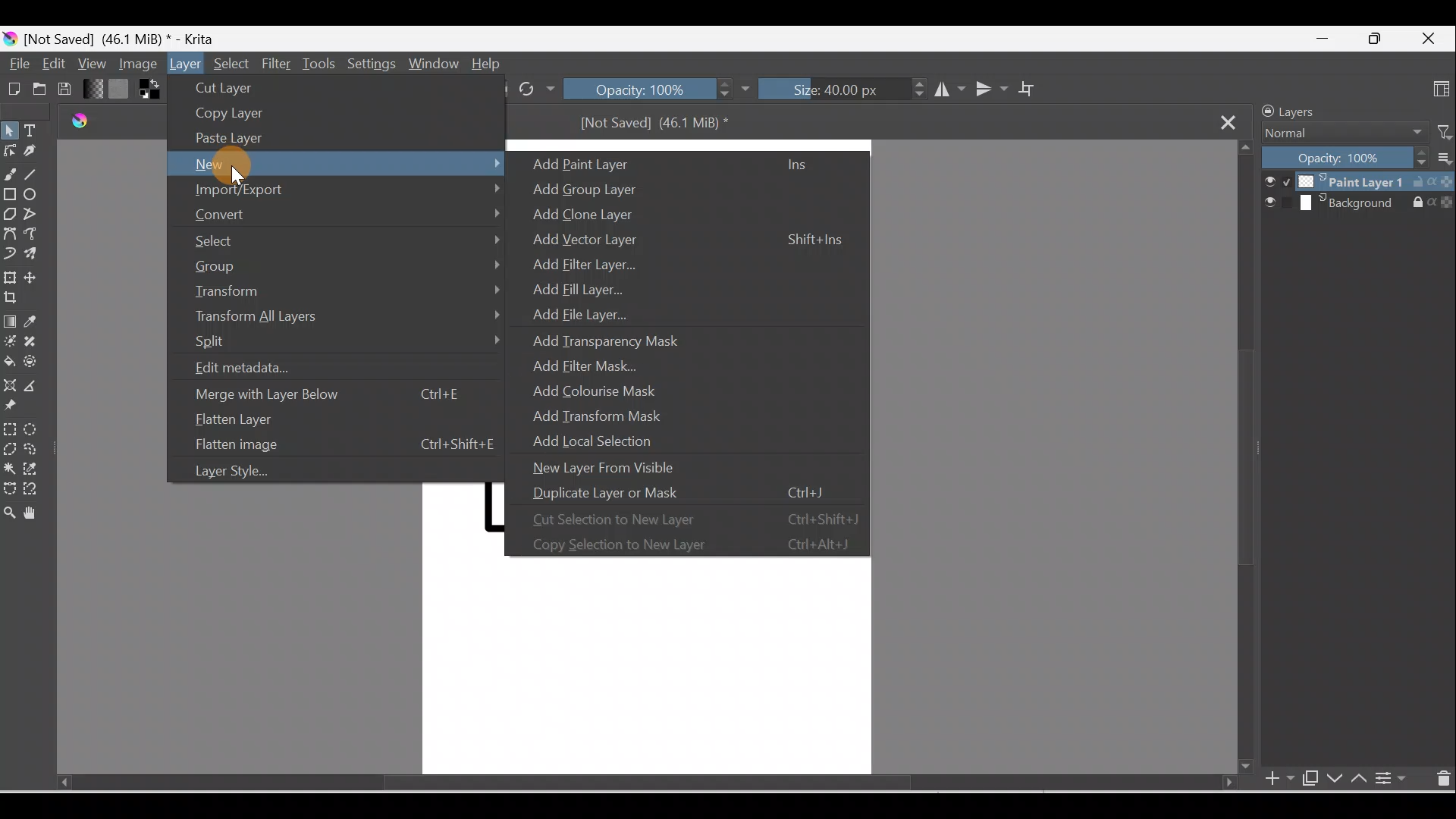  I want to click on Dynamic brush tool, so click(9, 254).